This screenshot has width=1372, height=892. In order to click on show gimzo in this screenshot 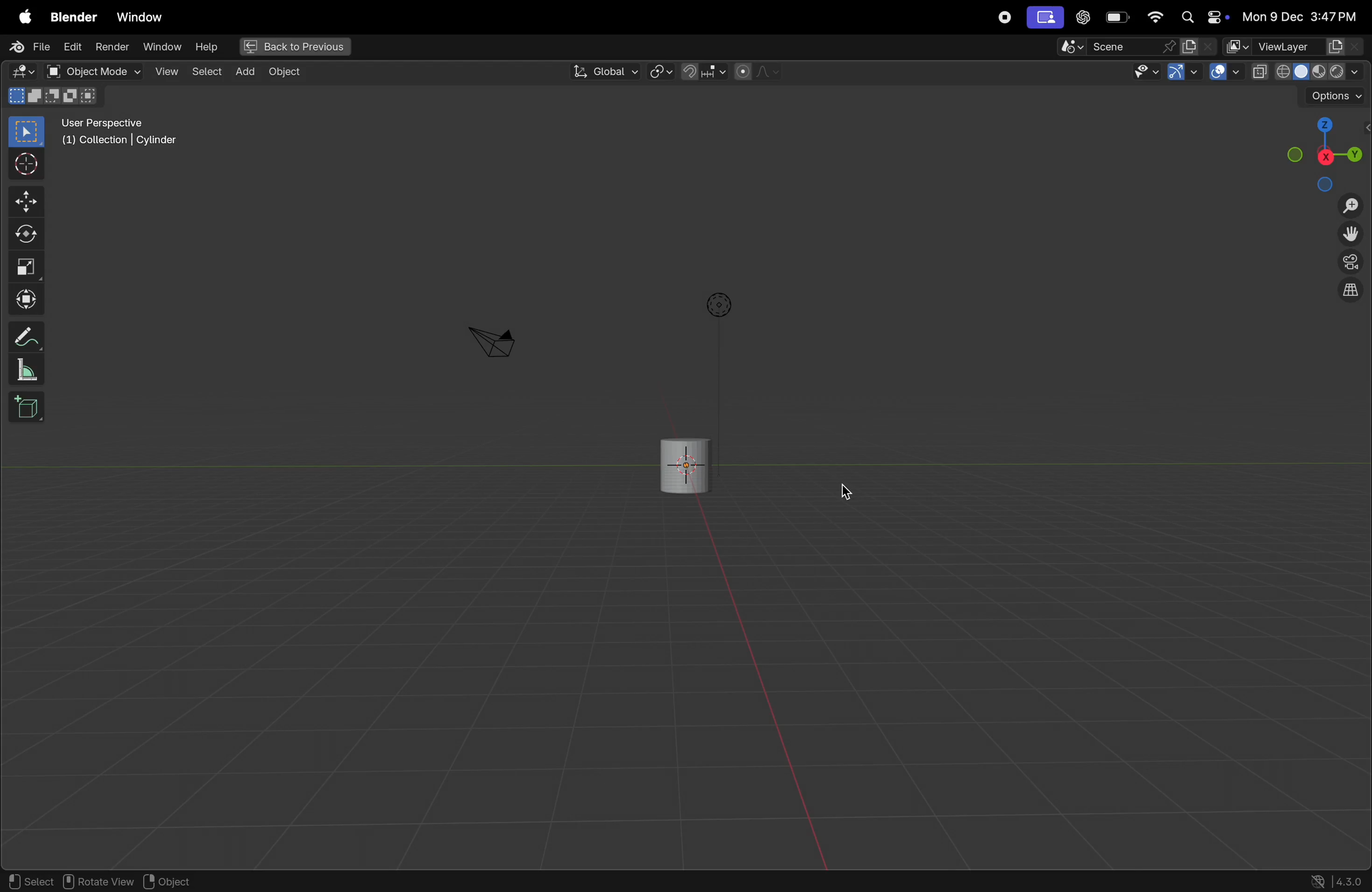, I will do `click(1185, 74)`.